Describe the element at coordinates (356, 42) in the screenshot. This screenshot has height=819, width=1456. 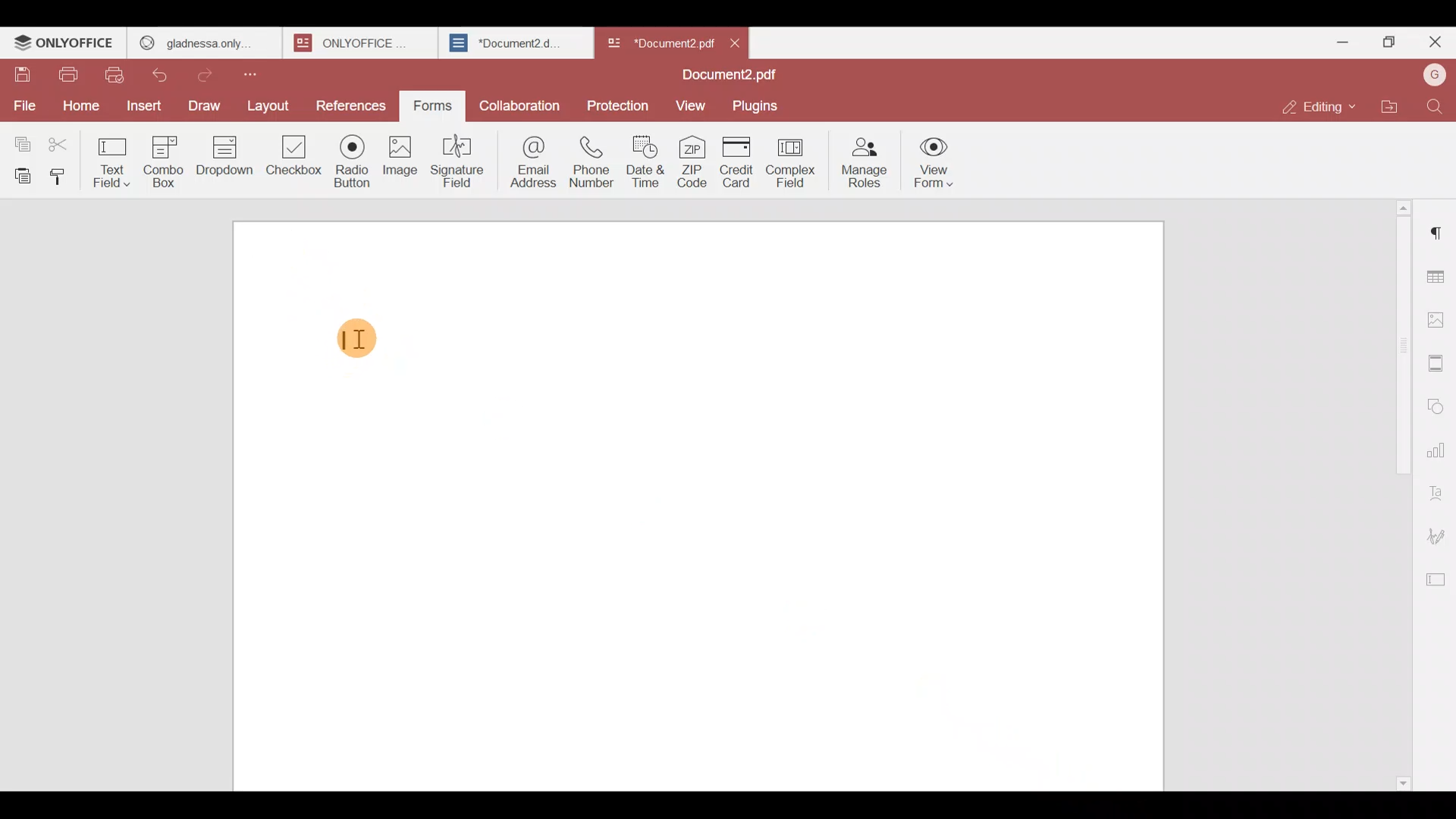
I see `ONLYOFFICE` at that location.